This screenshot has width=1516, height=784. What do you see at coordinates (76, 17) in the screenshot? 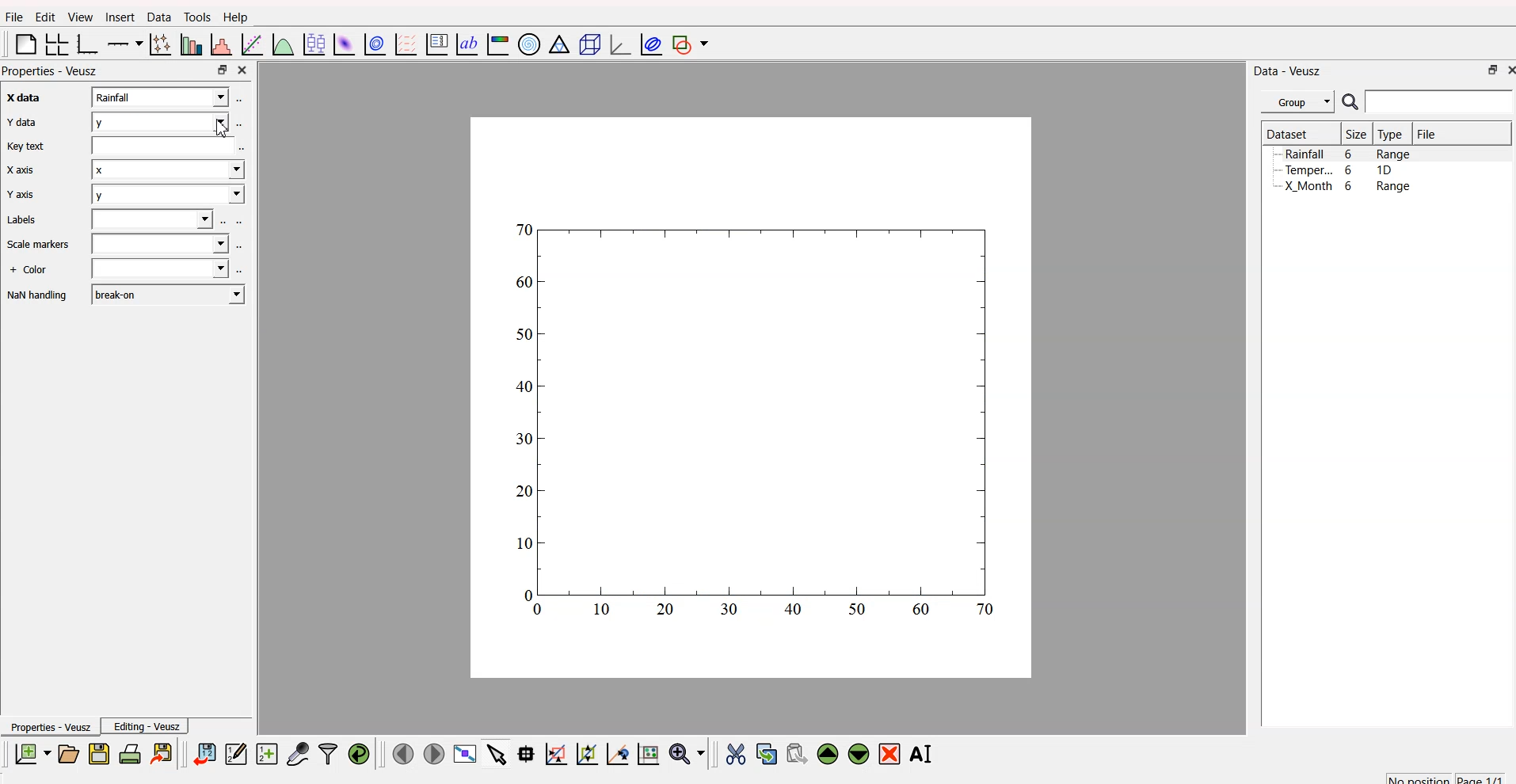
I see `View` at bounding box center [76, 17].